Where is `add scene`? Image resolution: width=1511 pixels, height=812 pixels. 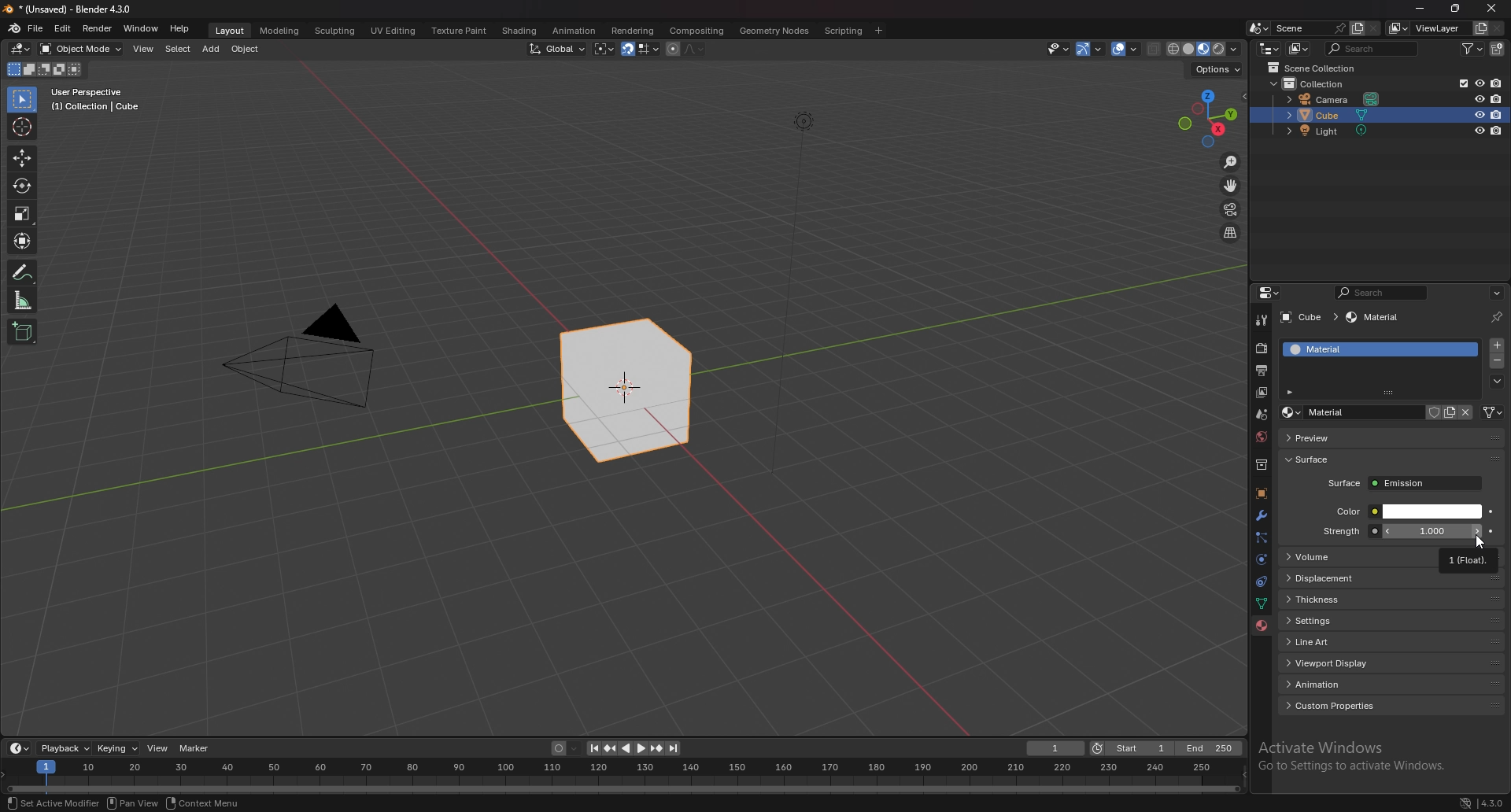 add scene is located at coordinates (1355, 28).